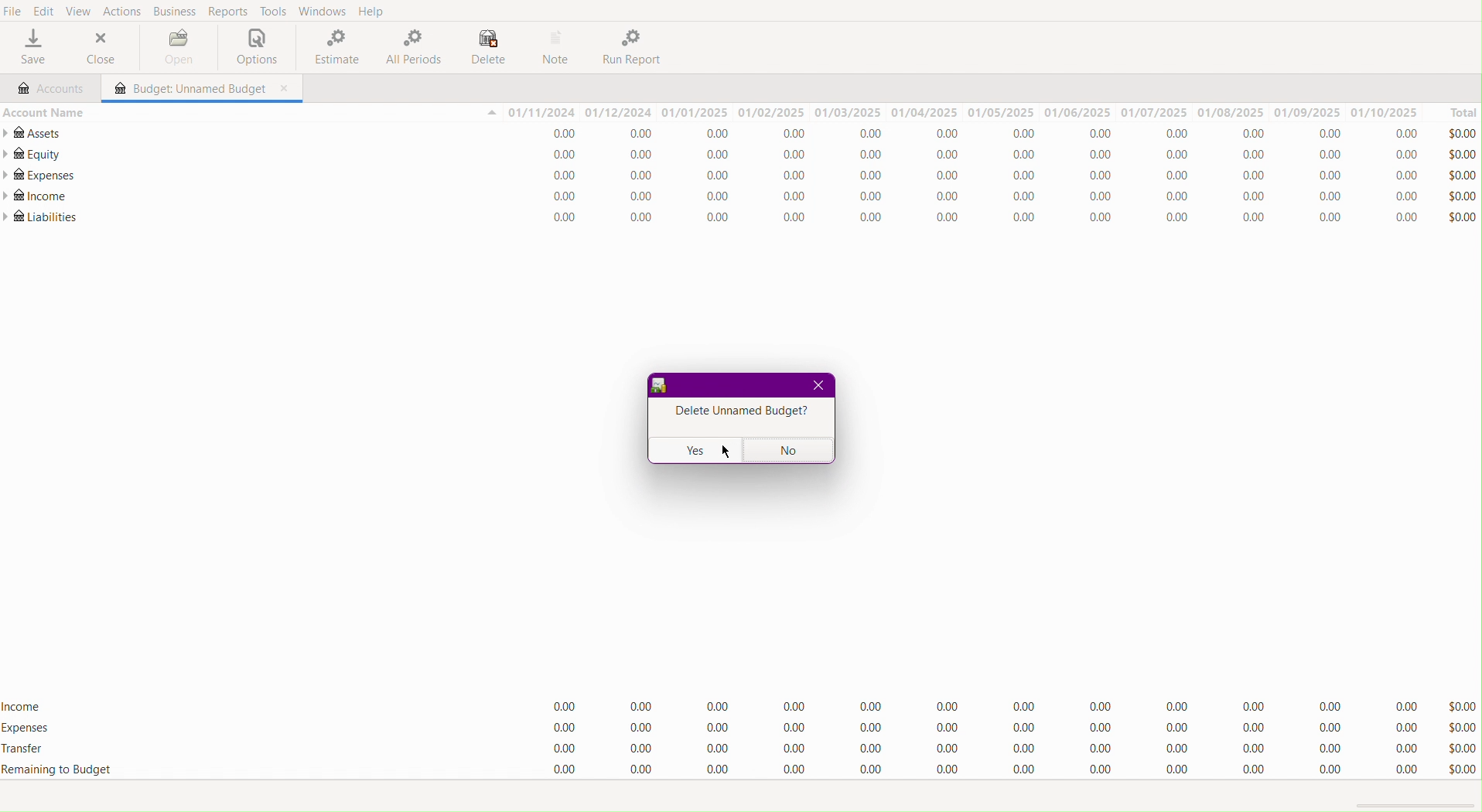 This screenshot has width=1482, height=812. Describe the element at coordinates (1463, 173) in the screenshot. I see `Total Values` at that location.